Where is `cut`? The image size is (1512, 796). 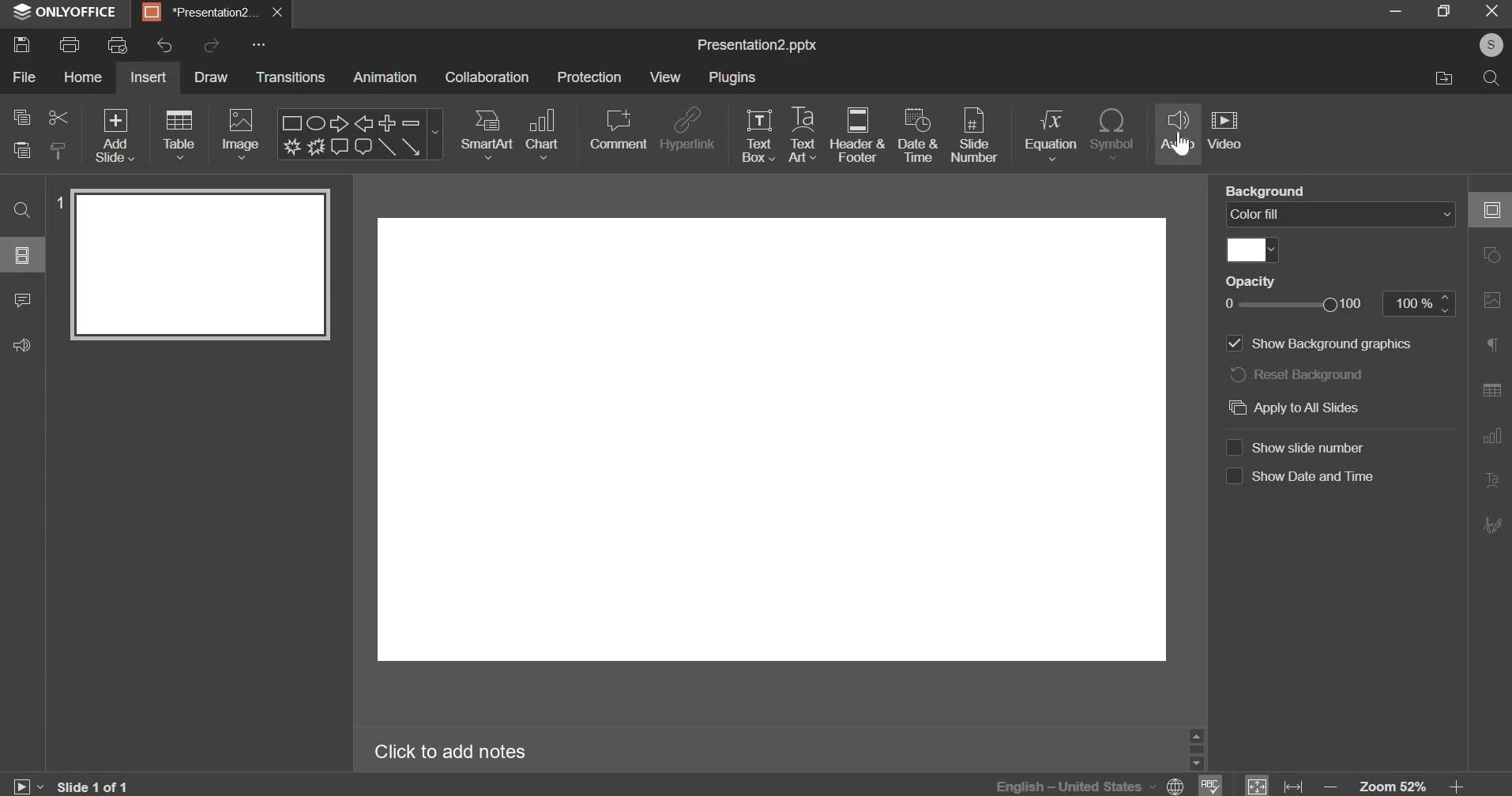
cut is located at coordinates (57, 118).